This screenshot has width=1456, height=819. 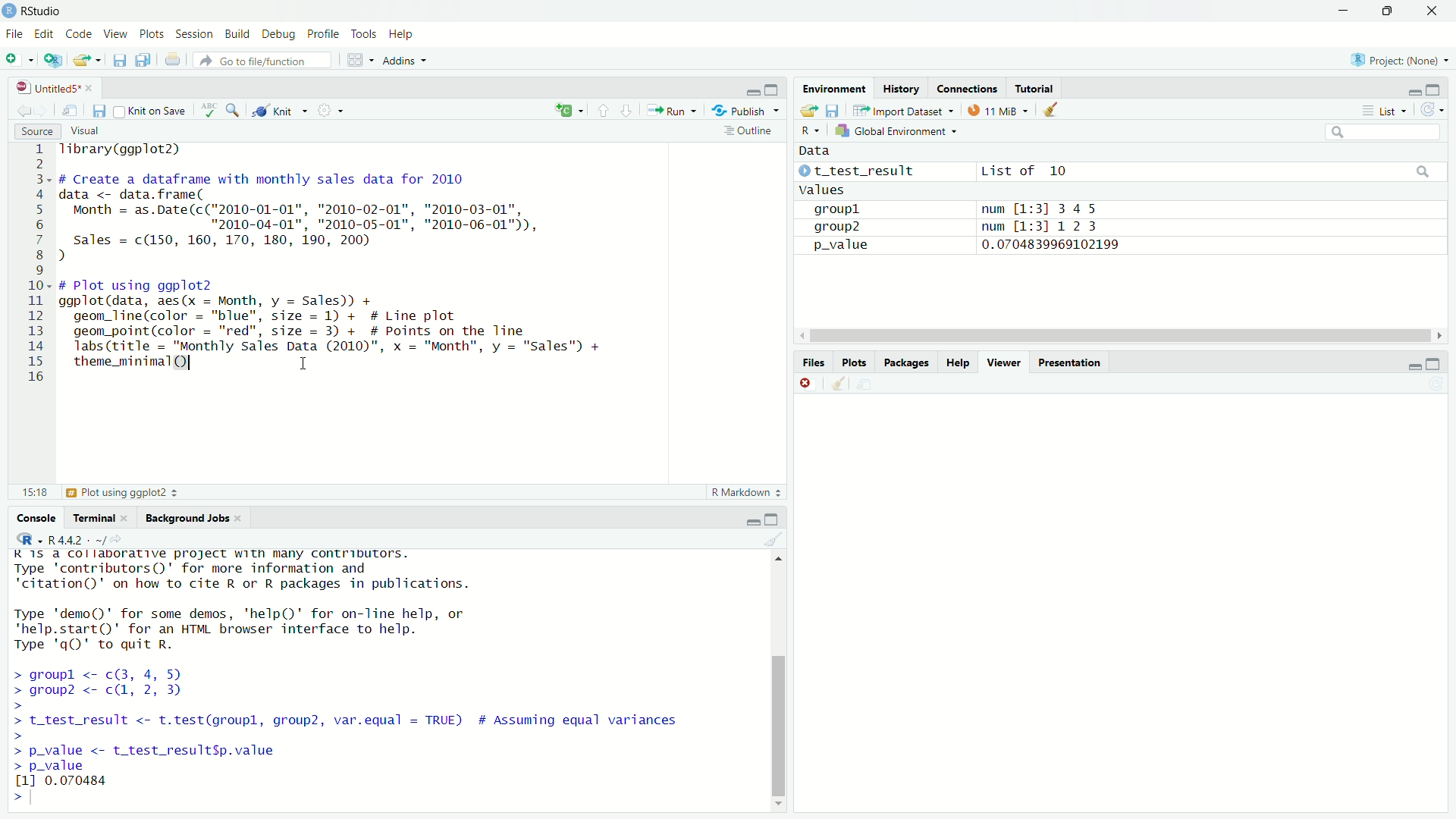 I want to click on View, so click(x=115, y=32).